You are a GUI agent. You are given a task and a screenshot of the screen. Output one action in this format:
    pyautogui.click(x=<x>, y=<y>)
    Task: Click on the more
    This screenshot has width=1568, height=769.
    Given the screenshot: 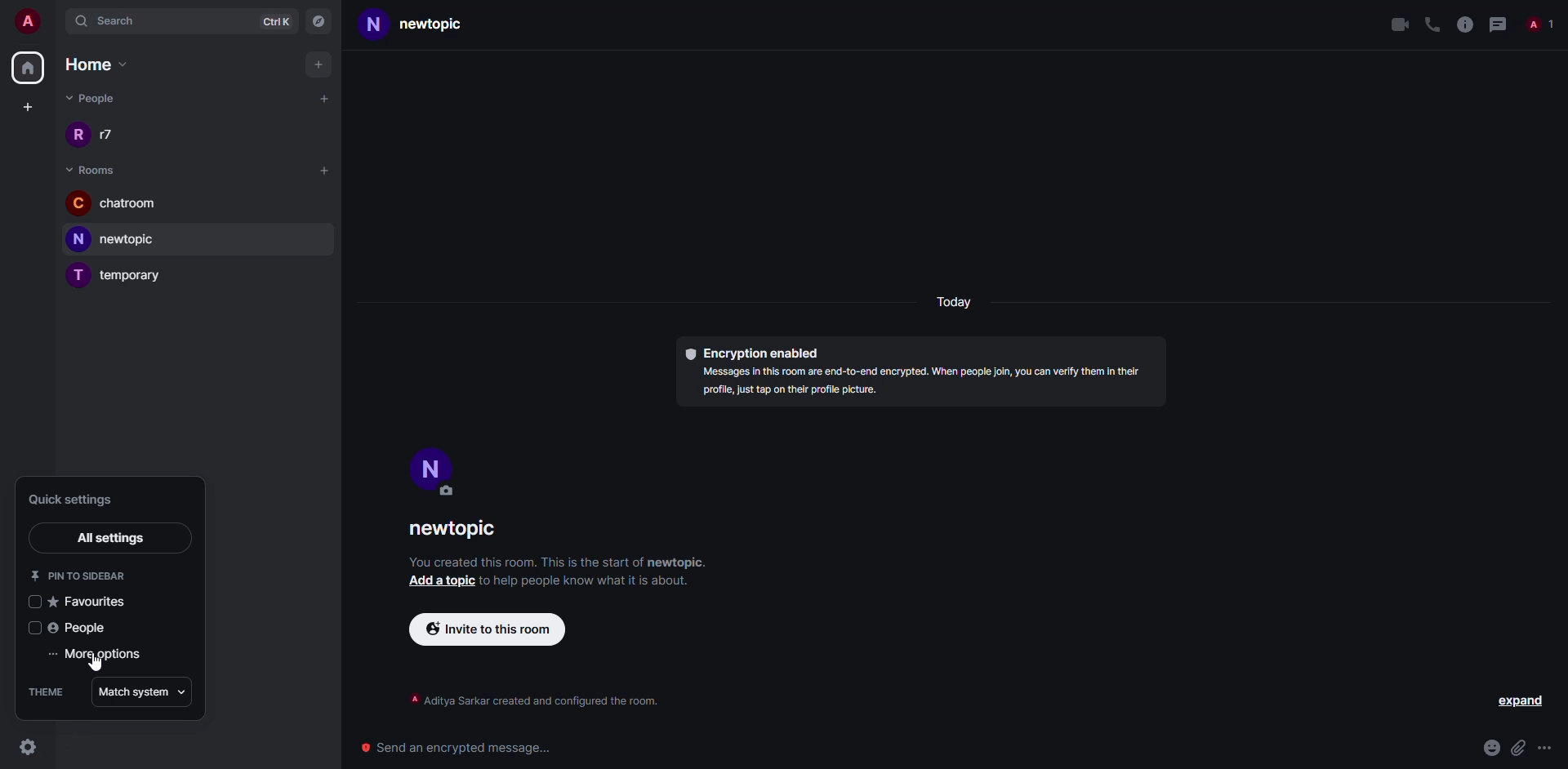 What is the action you would take?
    pyautogui.click(x=1545, y=749)
    